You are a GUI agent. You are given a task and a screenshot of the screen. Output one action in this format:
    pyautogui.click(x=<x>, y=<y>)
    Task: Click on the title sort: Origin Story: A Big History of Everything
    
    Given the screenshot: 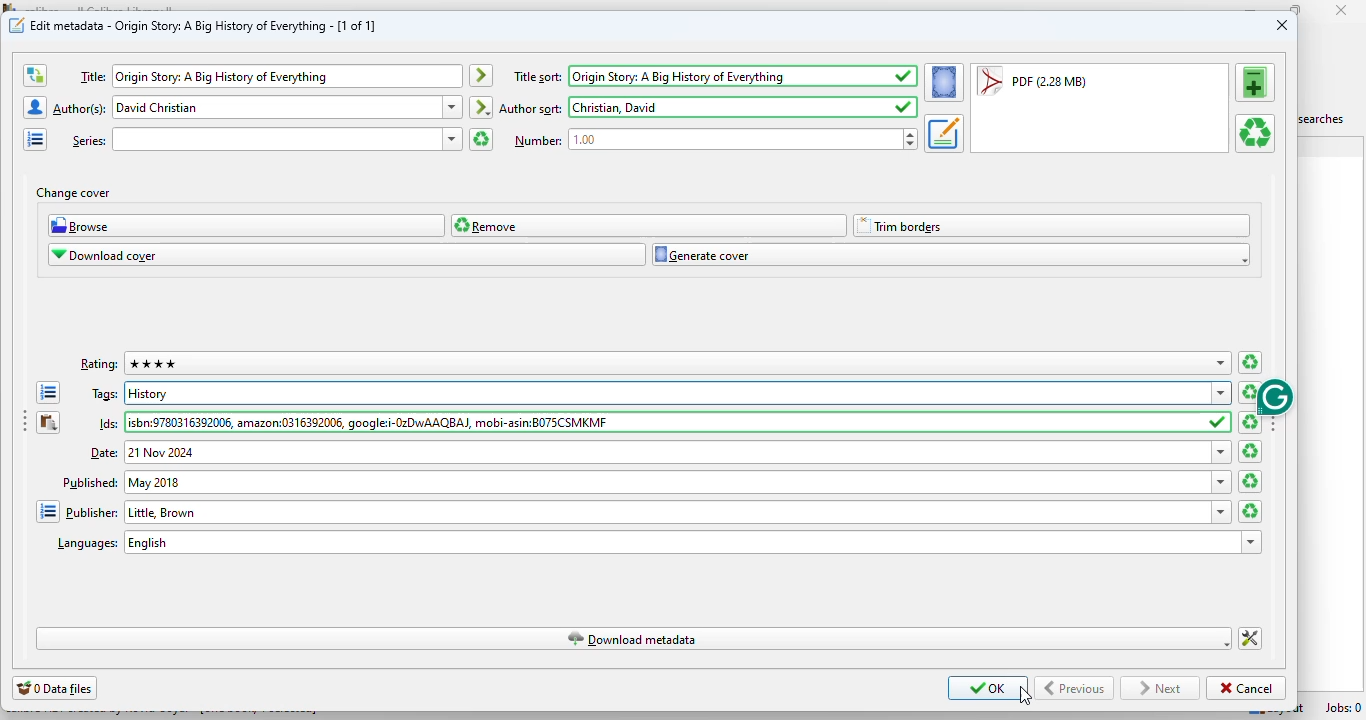 What is the action you would take?
    pyautogui.click(x=728, y=76)
    